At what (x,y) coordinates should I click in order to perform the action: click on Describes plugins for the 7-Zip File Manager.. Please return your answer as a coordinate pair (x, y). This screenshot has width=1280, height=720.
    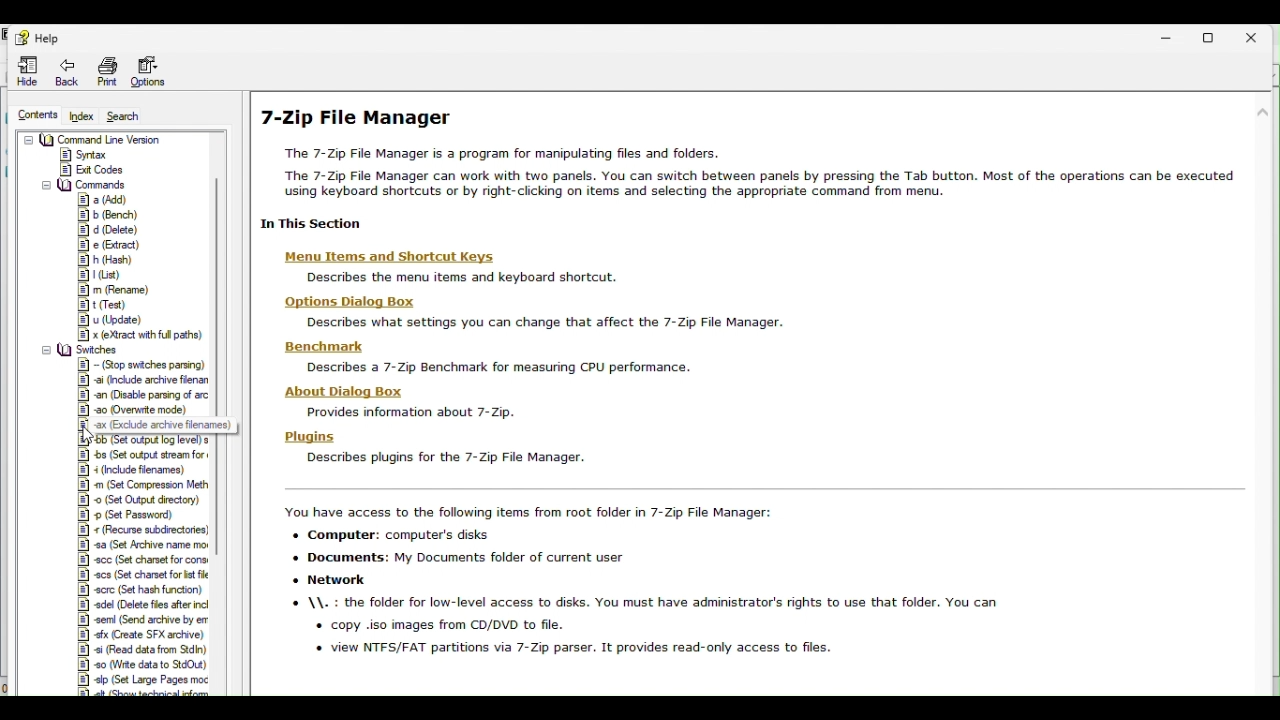
    Looking at the image, I should click on (447, 457).